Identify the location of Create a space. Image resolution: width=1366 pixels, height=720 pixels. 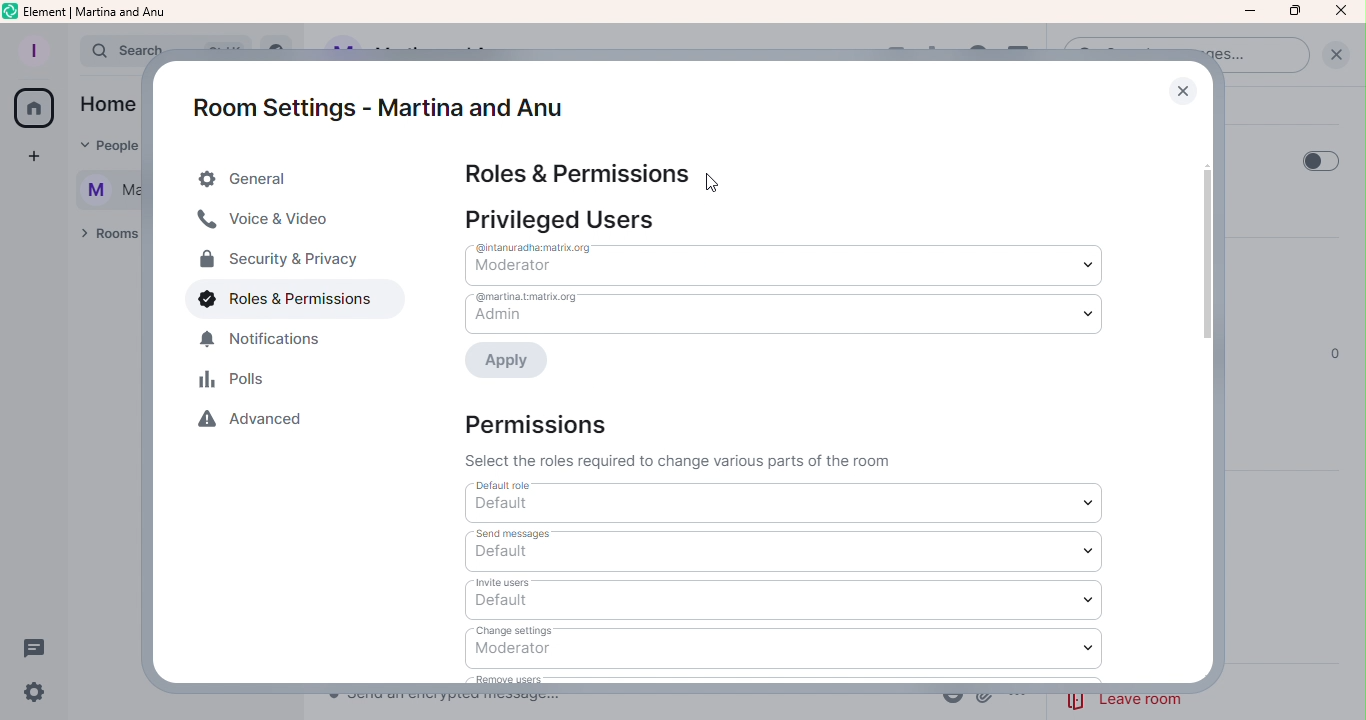
(29, 157).